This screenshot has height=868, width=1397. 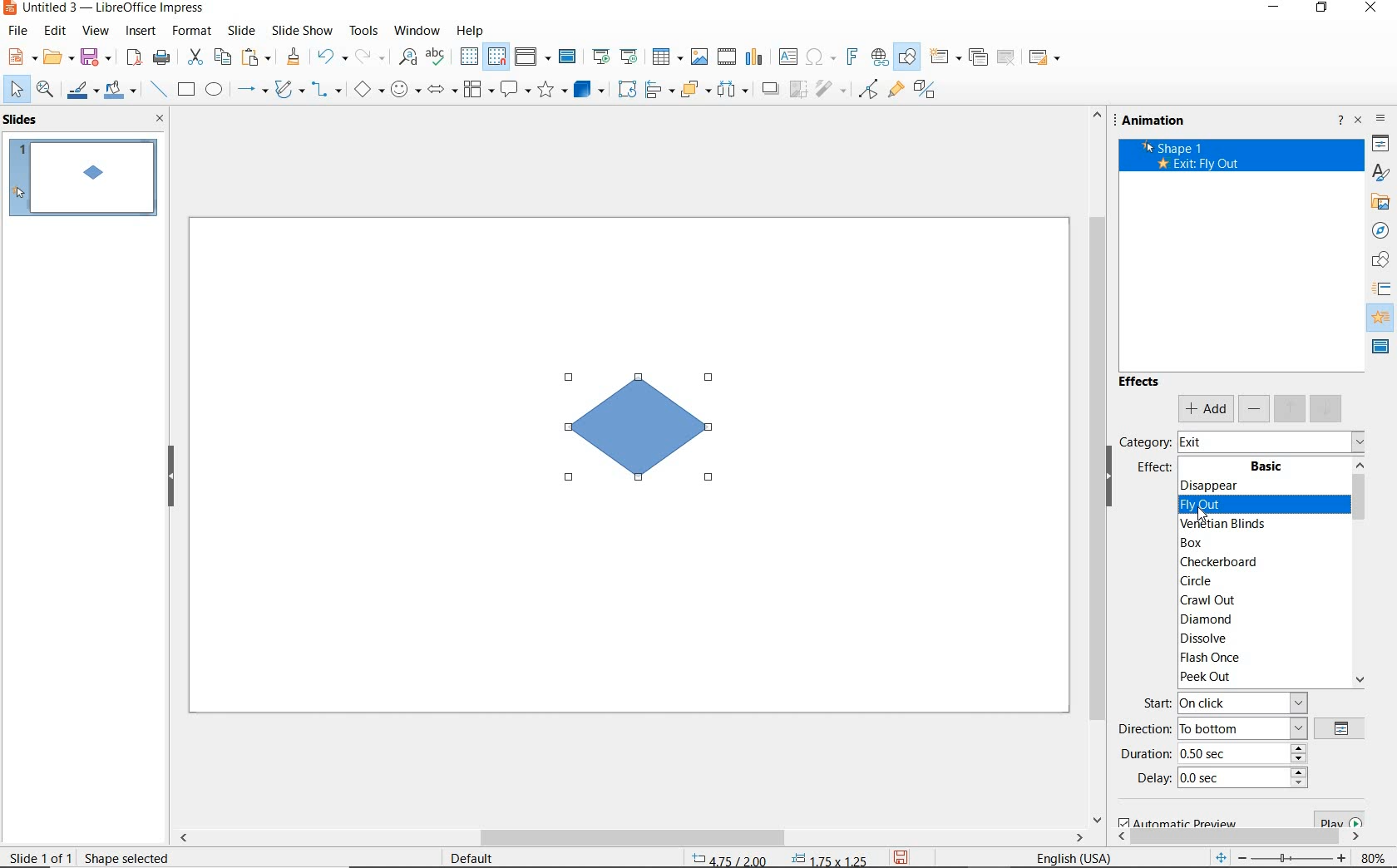 What do you see at coordinates (896, 91) in the screenshot?
I see `show gluepoint functions` at bounding box center [896, 91].